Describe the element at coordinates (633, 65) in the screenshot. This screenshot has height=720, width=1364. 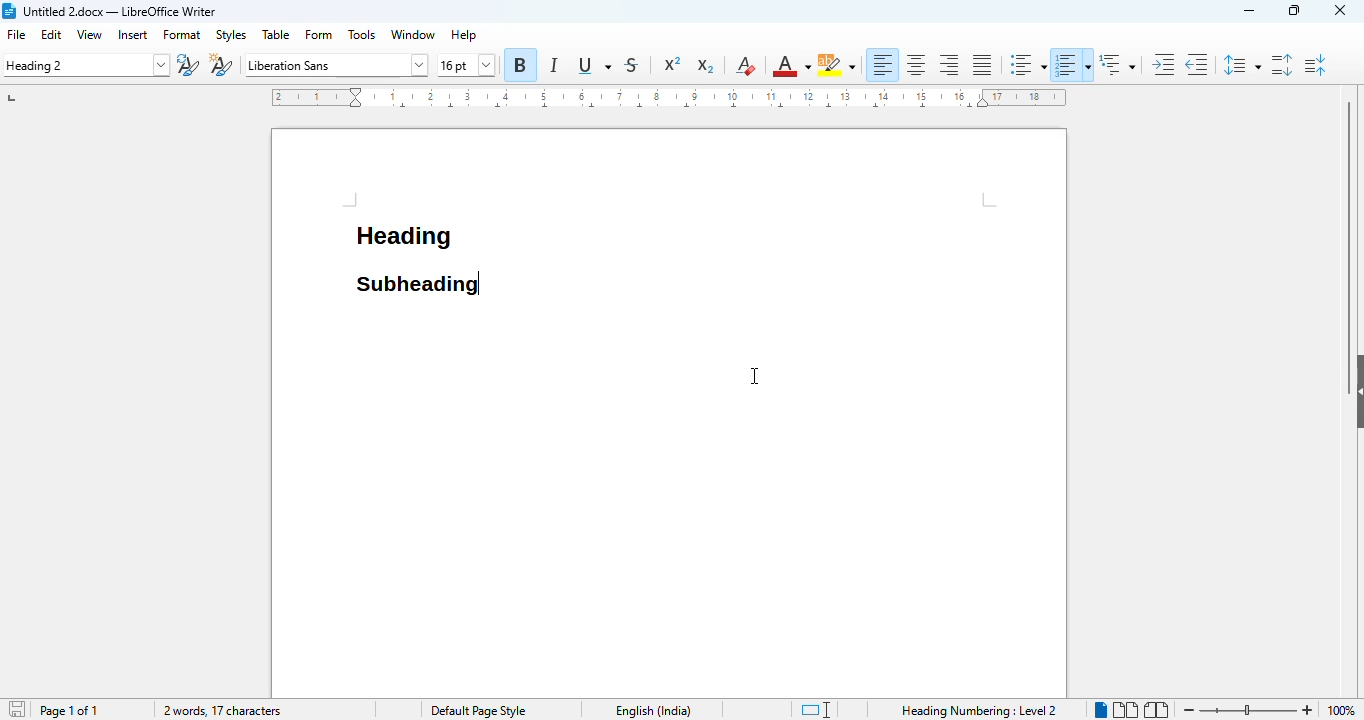
I see `strikethrough` at that location.